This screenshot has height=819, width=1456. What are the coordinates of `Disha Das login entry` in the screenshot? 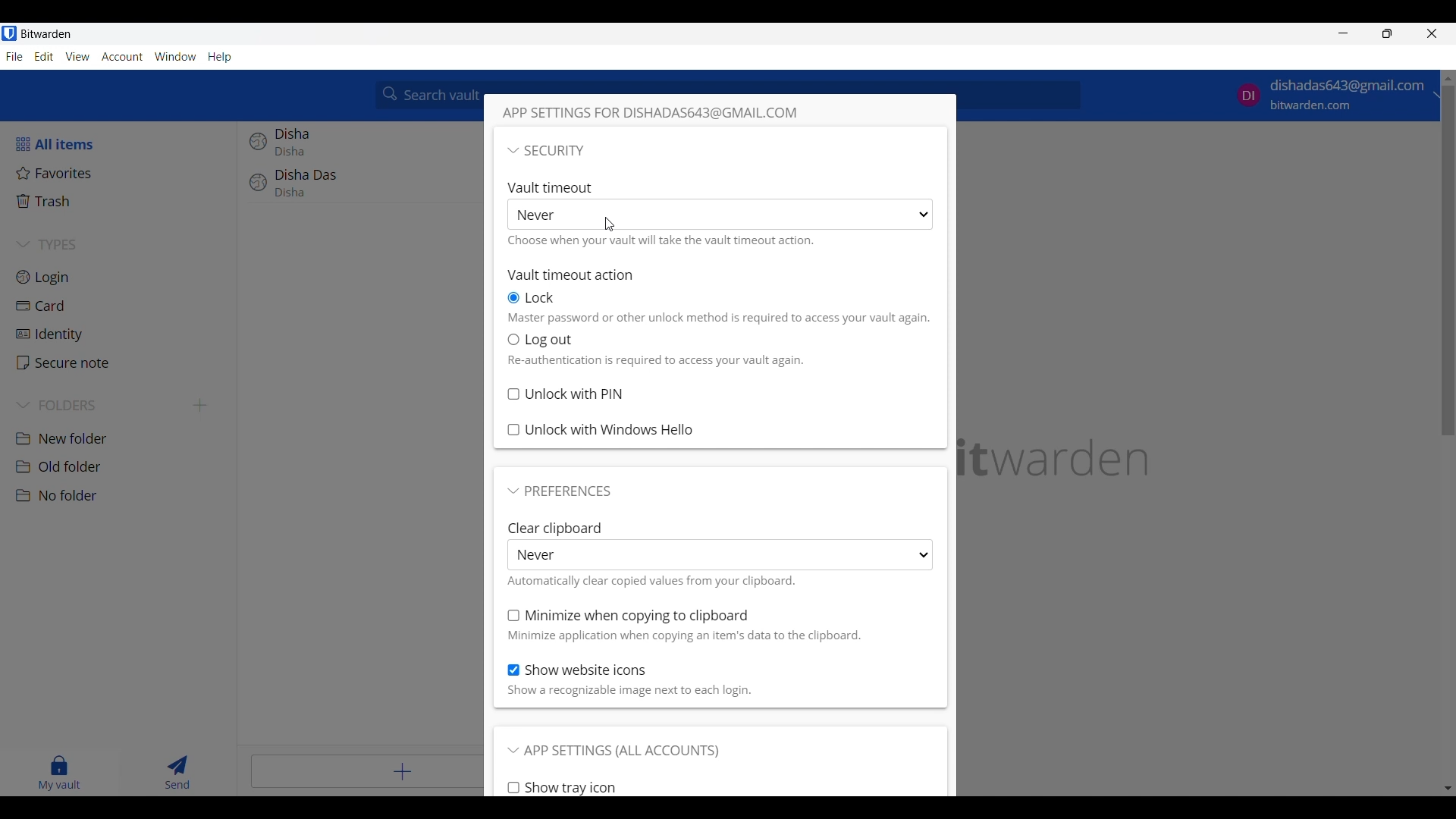 It's located at (362, 190).